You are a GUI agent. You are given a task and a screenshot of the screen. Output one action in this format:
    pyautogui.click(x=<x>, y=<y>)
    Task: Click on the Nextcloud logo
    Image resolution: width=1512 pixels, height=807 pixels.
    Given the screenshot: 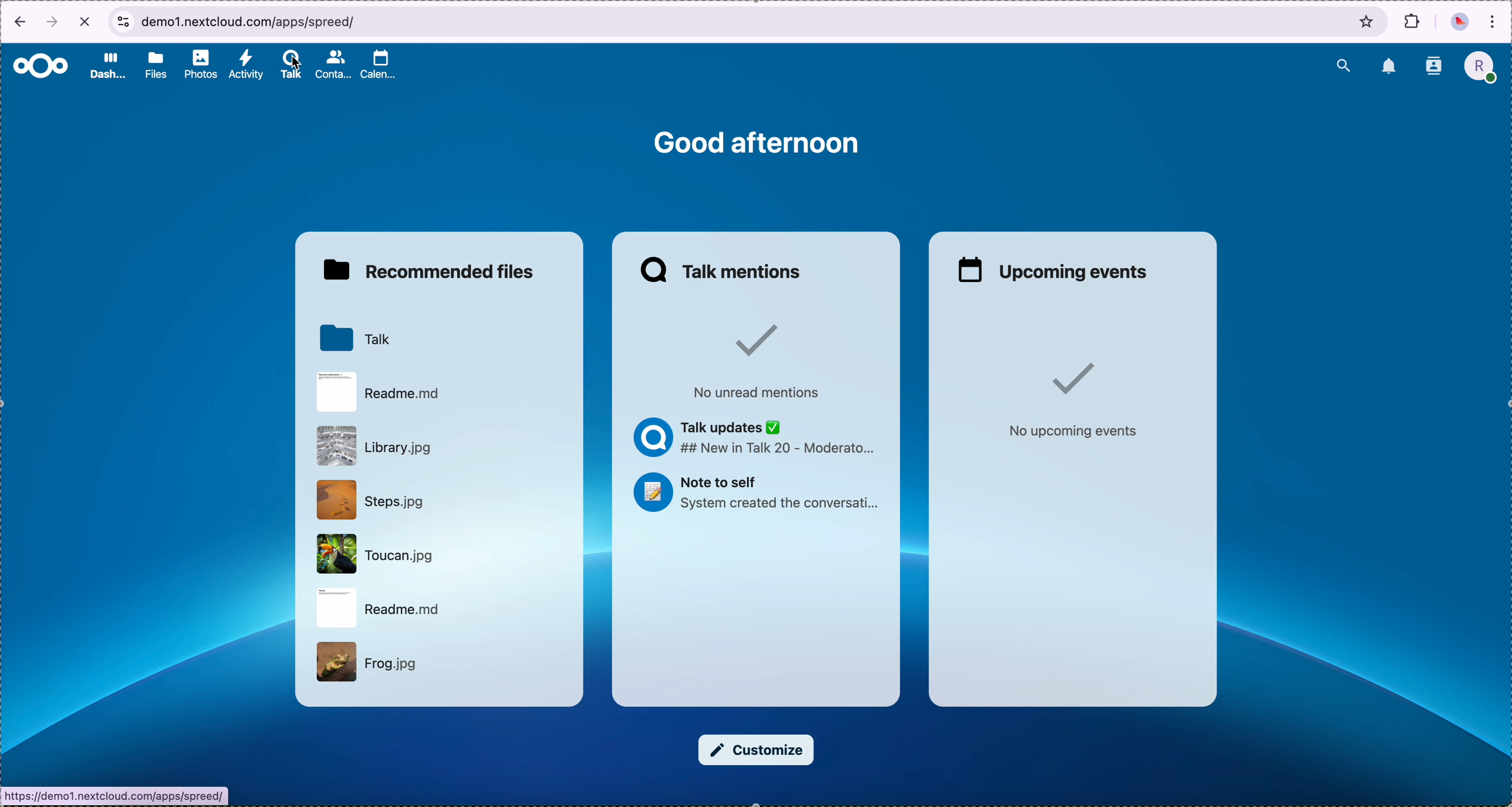 What is the action you would take?
    pyautogui.click(x=40, y=67)
    